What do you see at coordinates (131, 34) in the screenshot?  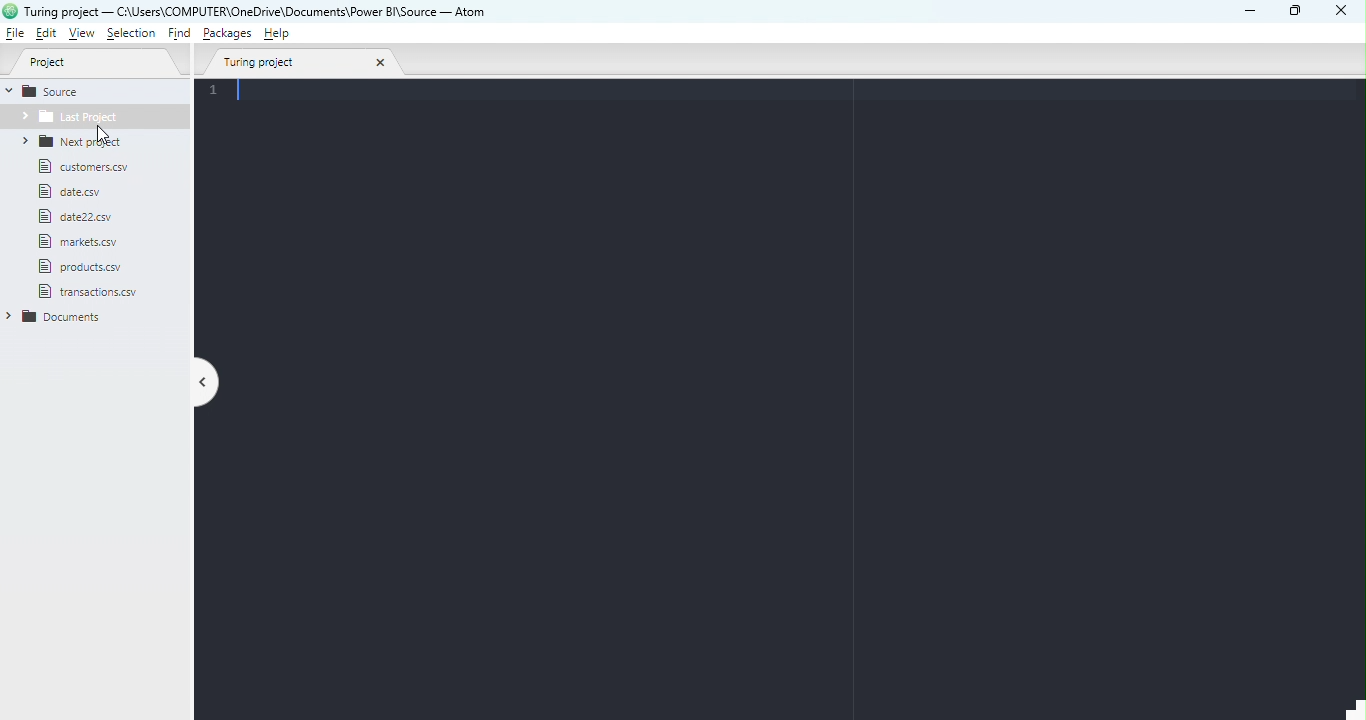 I see `Selection` at bounding box center [131, 34].